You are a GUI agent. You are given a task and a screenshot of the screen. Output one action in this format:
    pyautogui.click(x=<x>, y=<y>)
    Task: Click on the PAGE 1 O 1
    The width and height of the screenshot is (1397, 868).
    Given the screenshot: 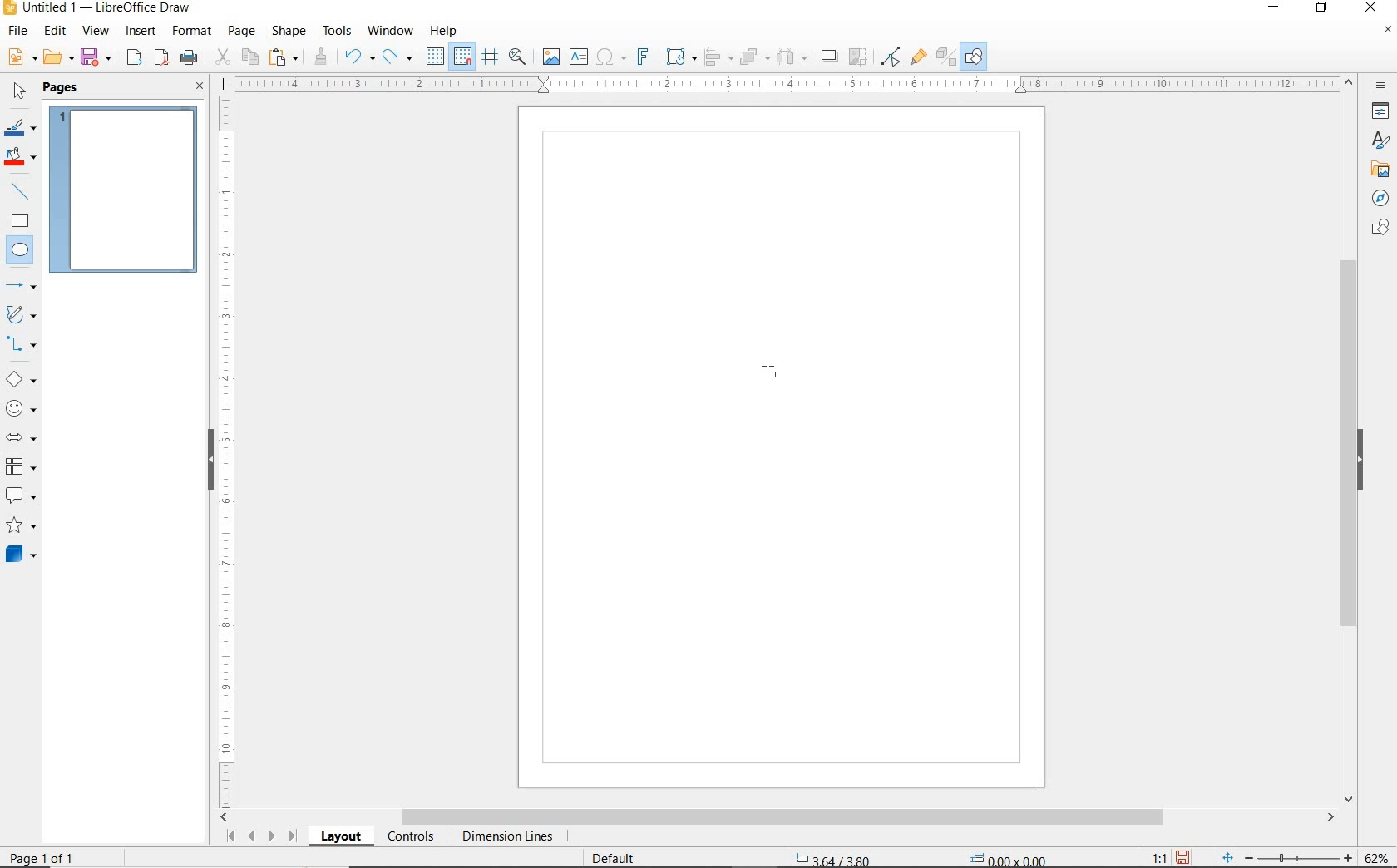 What is the action you would take?
    pyautogui.click(x=54, y=851)
    